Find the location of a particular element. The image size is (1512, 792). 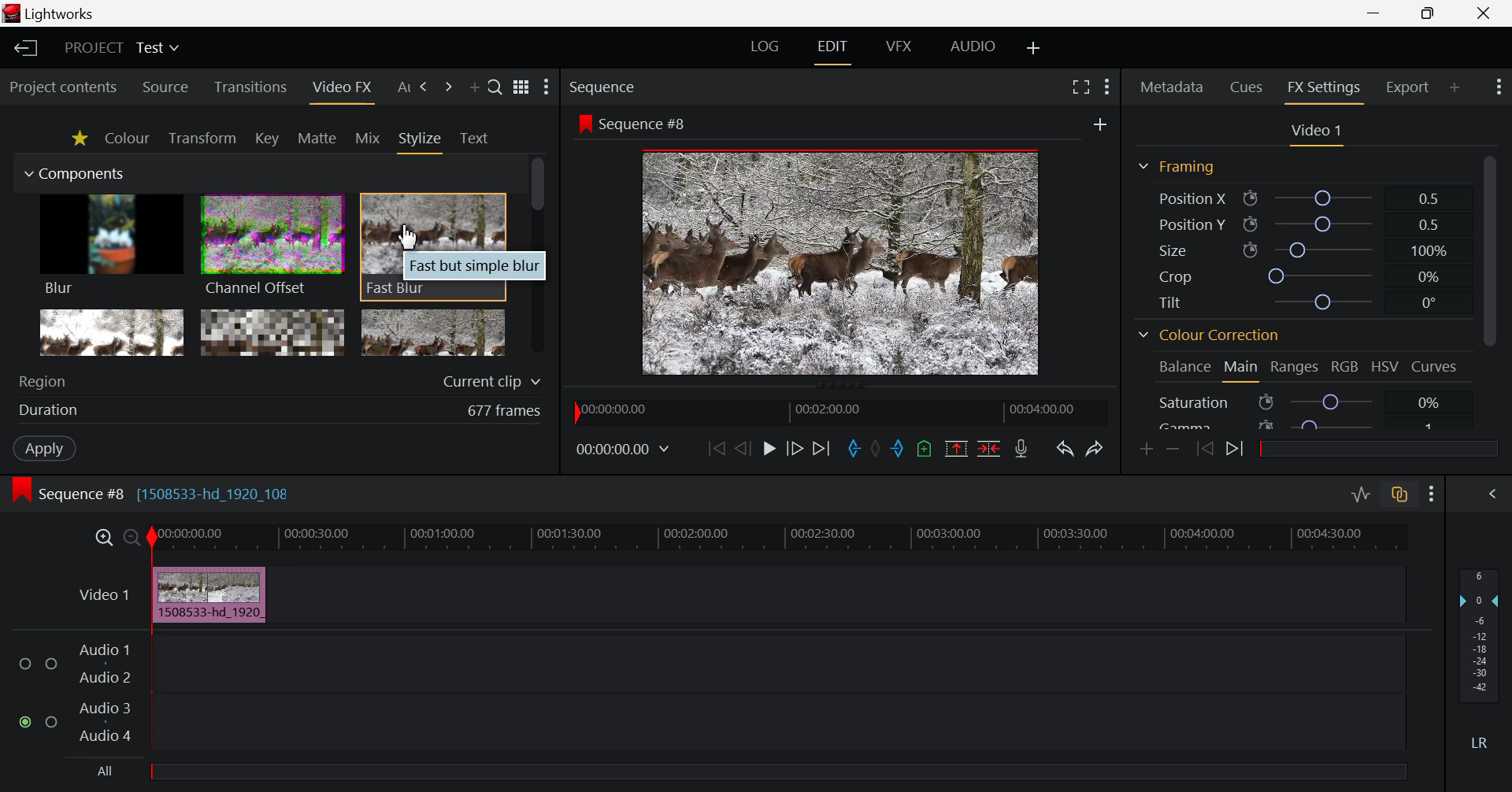

Video Clip Inserted is located at coordinates (209, 592).